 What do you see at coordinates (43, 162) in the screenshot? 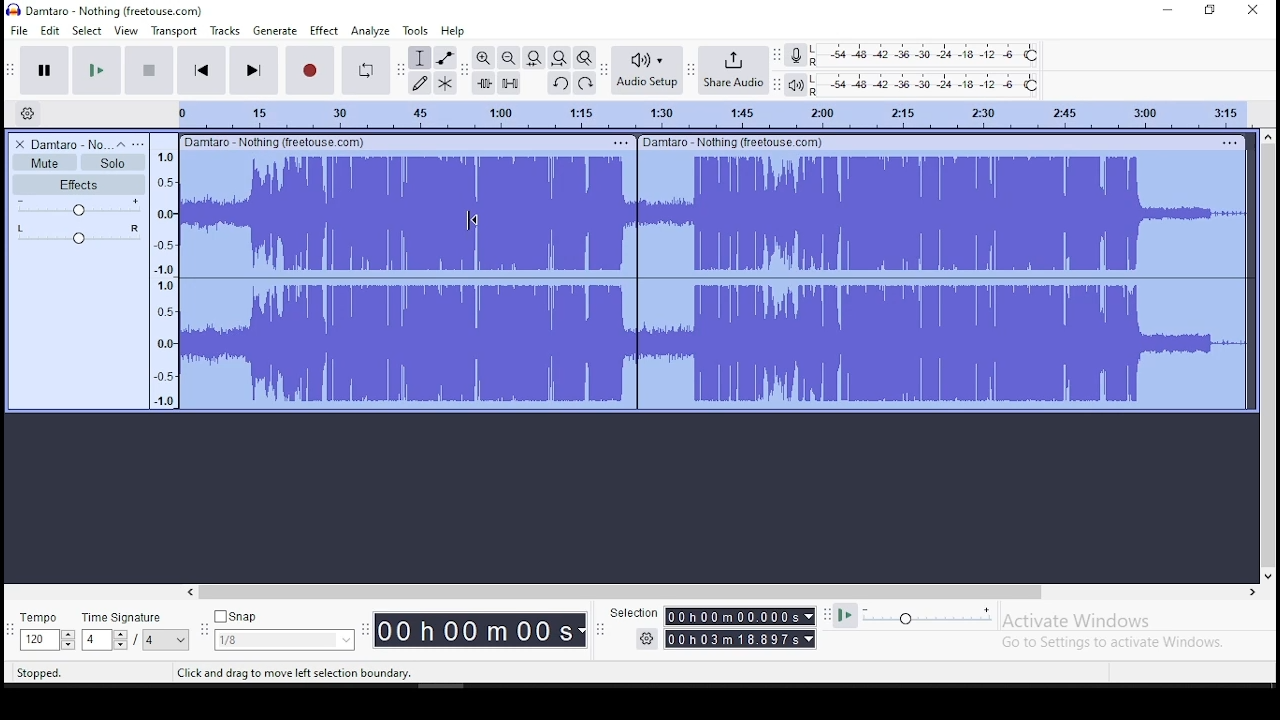
I see `mute` at bounding box center [43, 162].